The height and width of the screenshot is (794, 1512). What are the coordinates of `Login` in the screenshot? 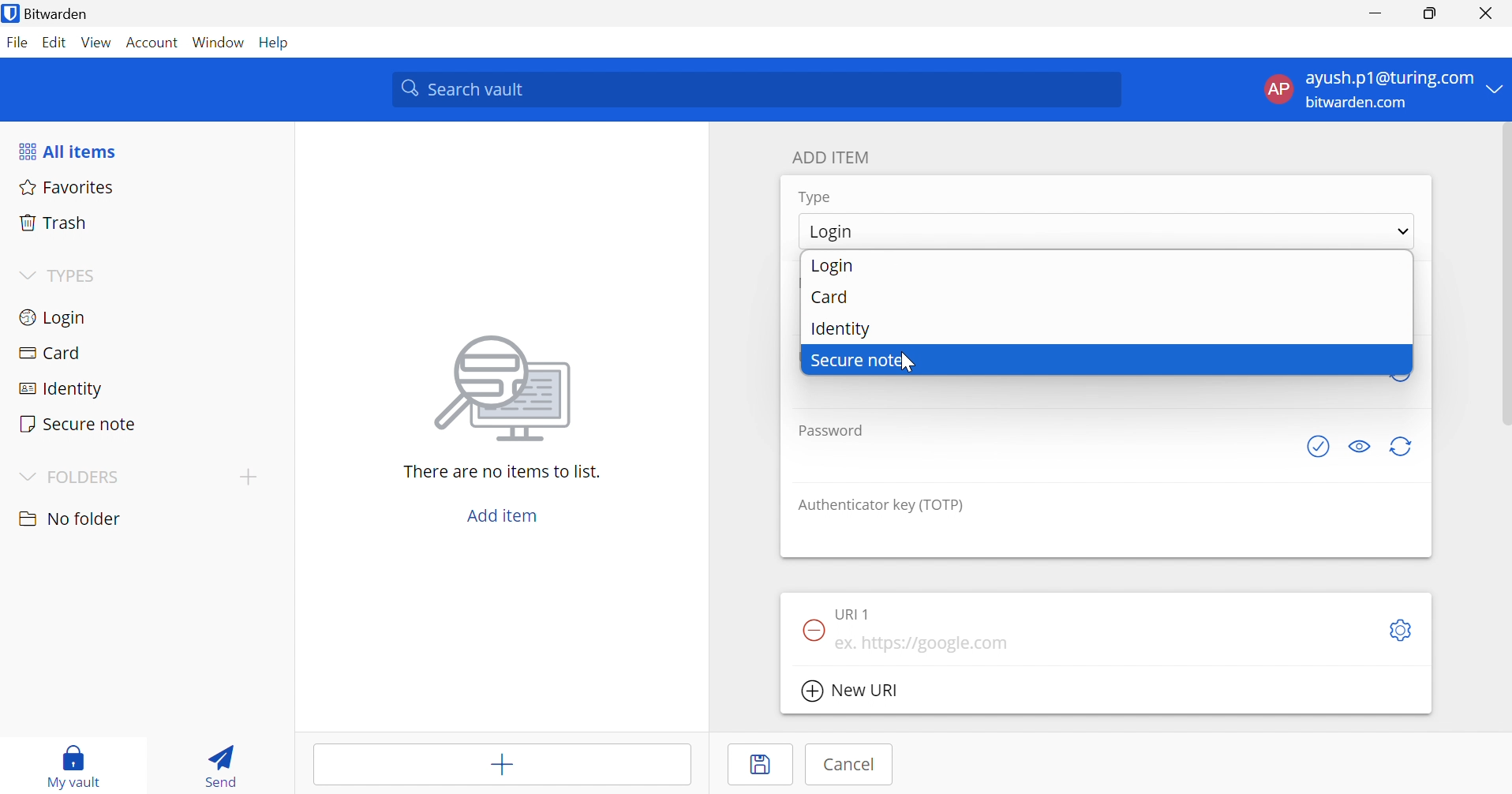 It's located at (831, 233).